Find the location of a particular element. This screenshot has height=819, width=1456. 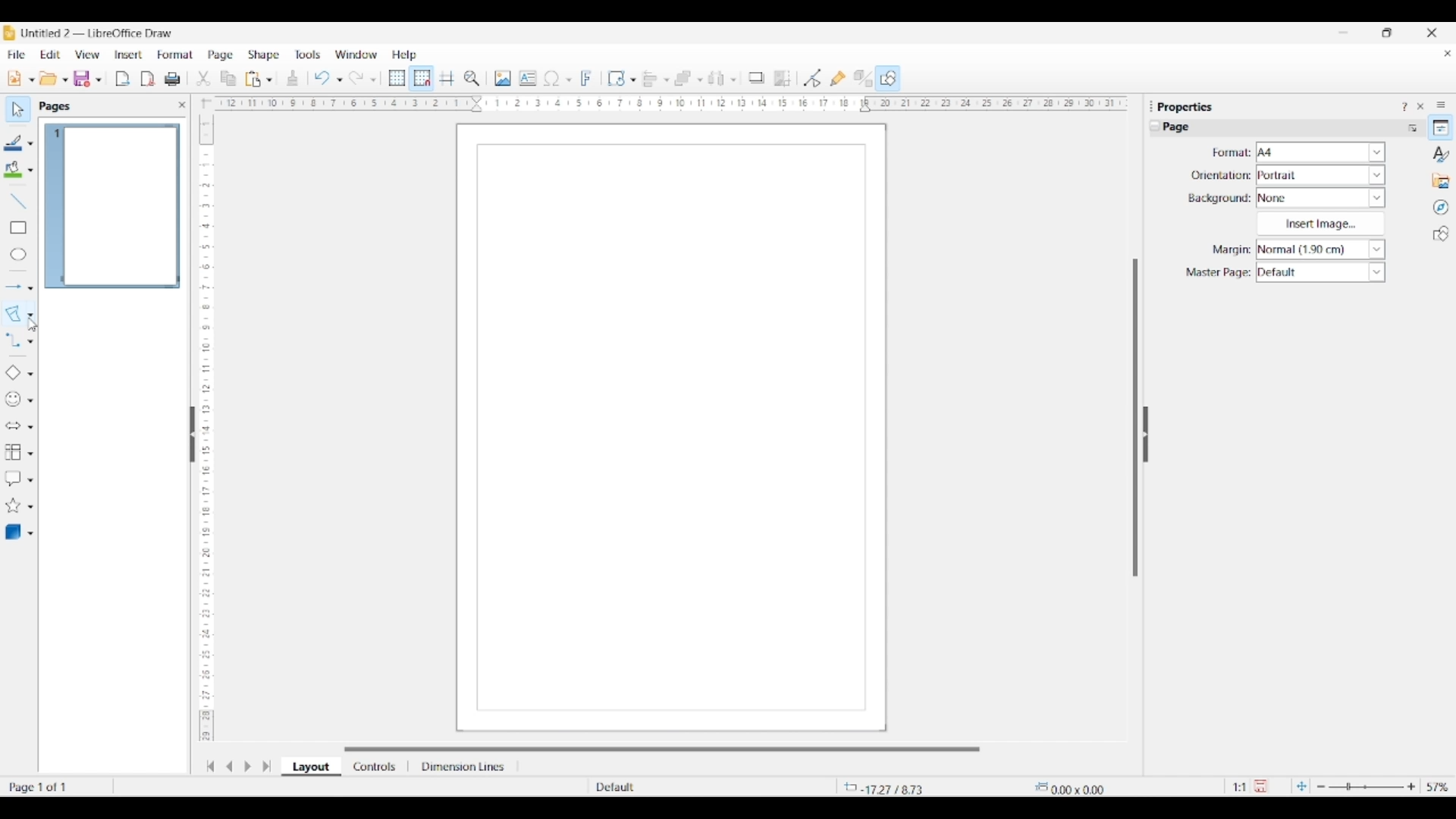

Basic shape options is located at coordinates (30, 374).